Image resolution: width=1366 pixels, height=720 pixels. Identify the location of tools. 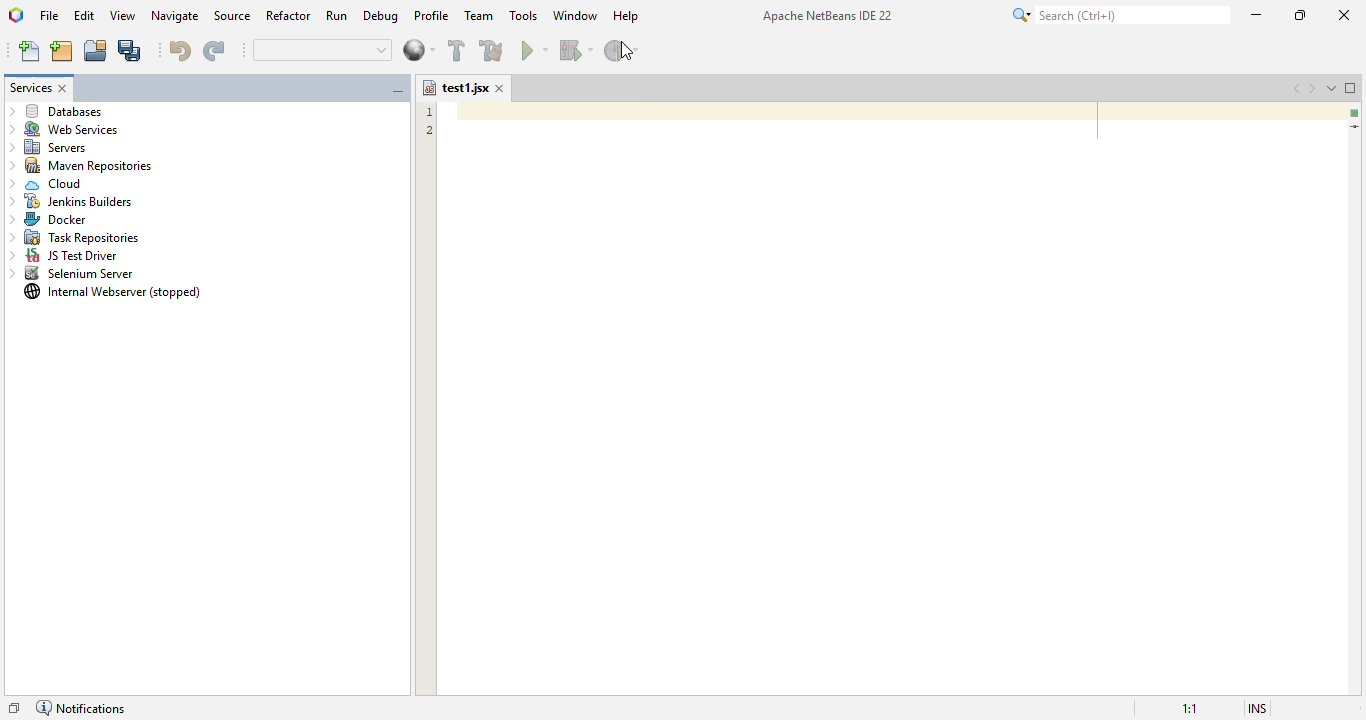
(523, 15).